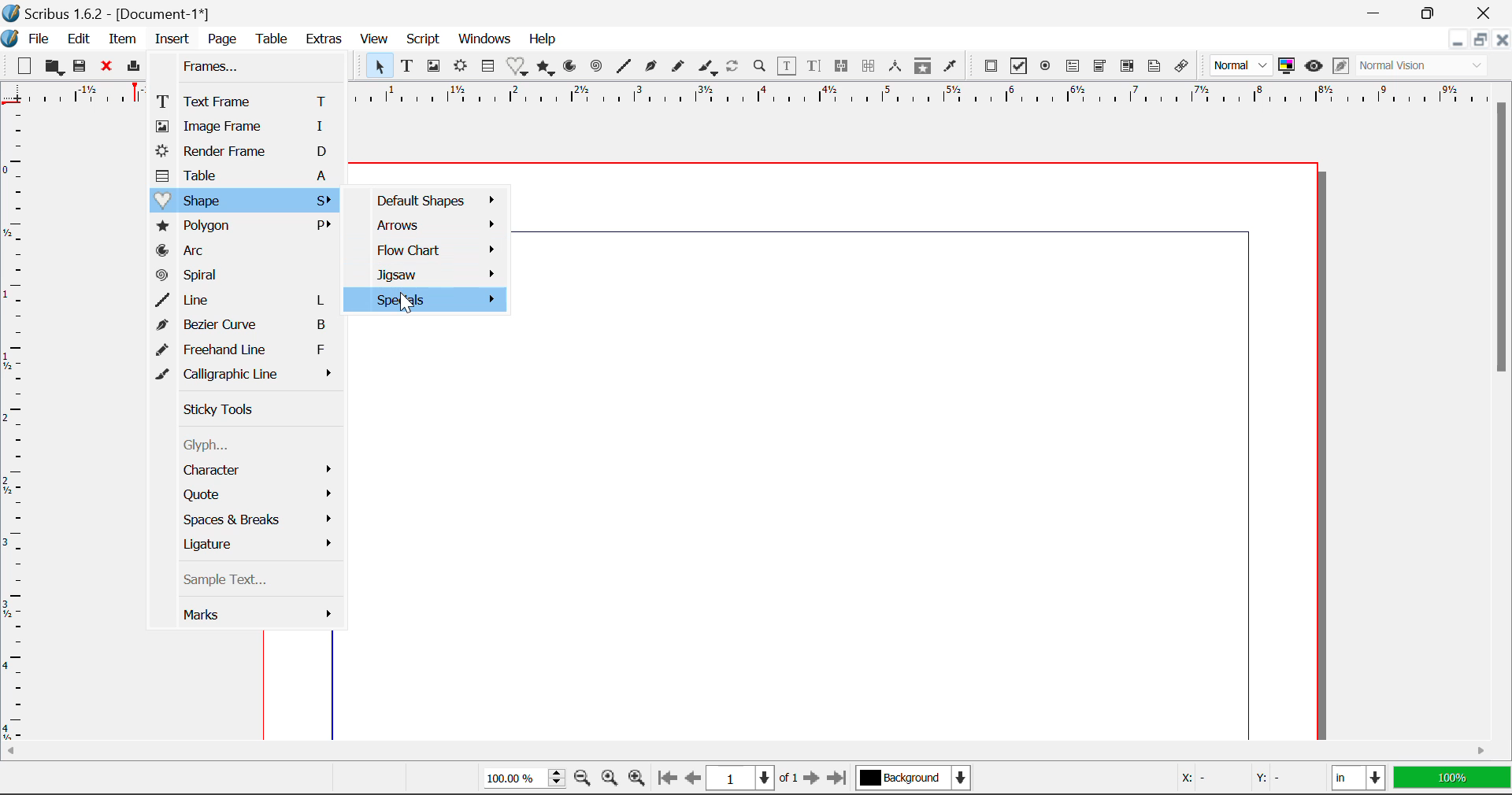 Image resolution: width=1512 pixels, height=795 pixels. I want to click on Freehand Curve, so click(680, 66).